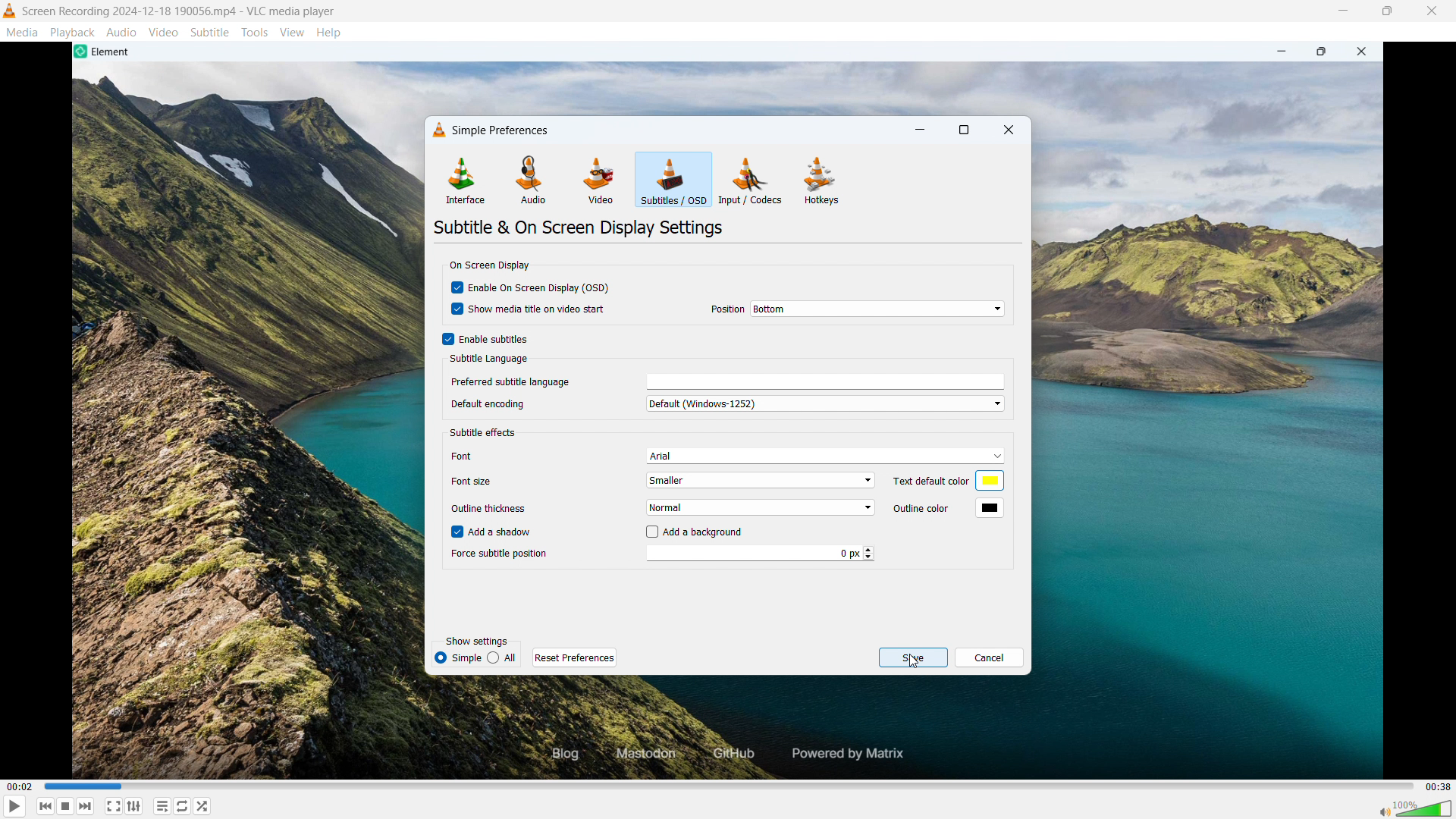 This screenshot has width=1456, height=819. I want to click on Logo , so click(10, 11).